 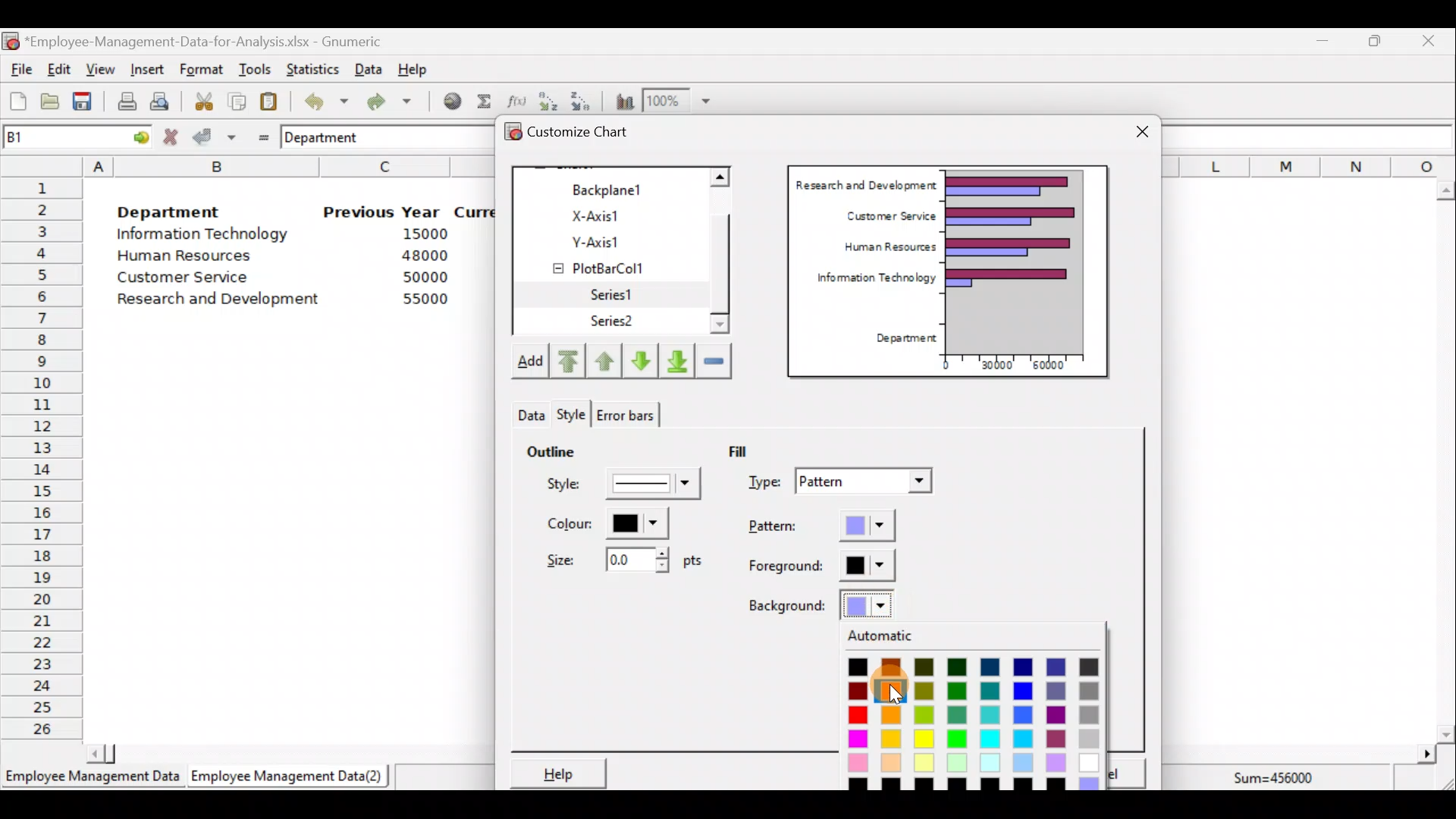 What do you see at coordinates (208, 40) in the screenshot?
I see `‘Employee-Management-Data-for-Analysis.xlsx - Gnumeric` at bounding box center [208, 40].